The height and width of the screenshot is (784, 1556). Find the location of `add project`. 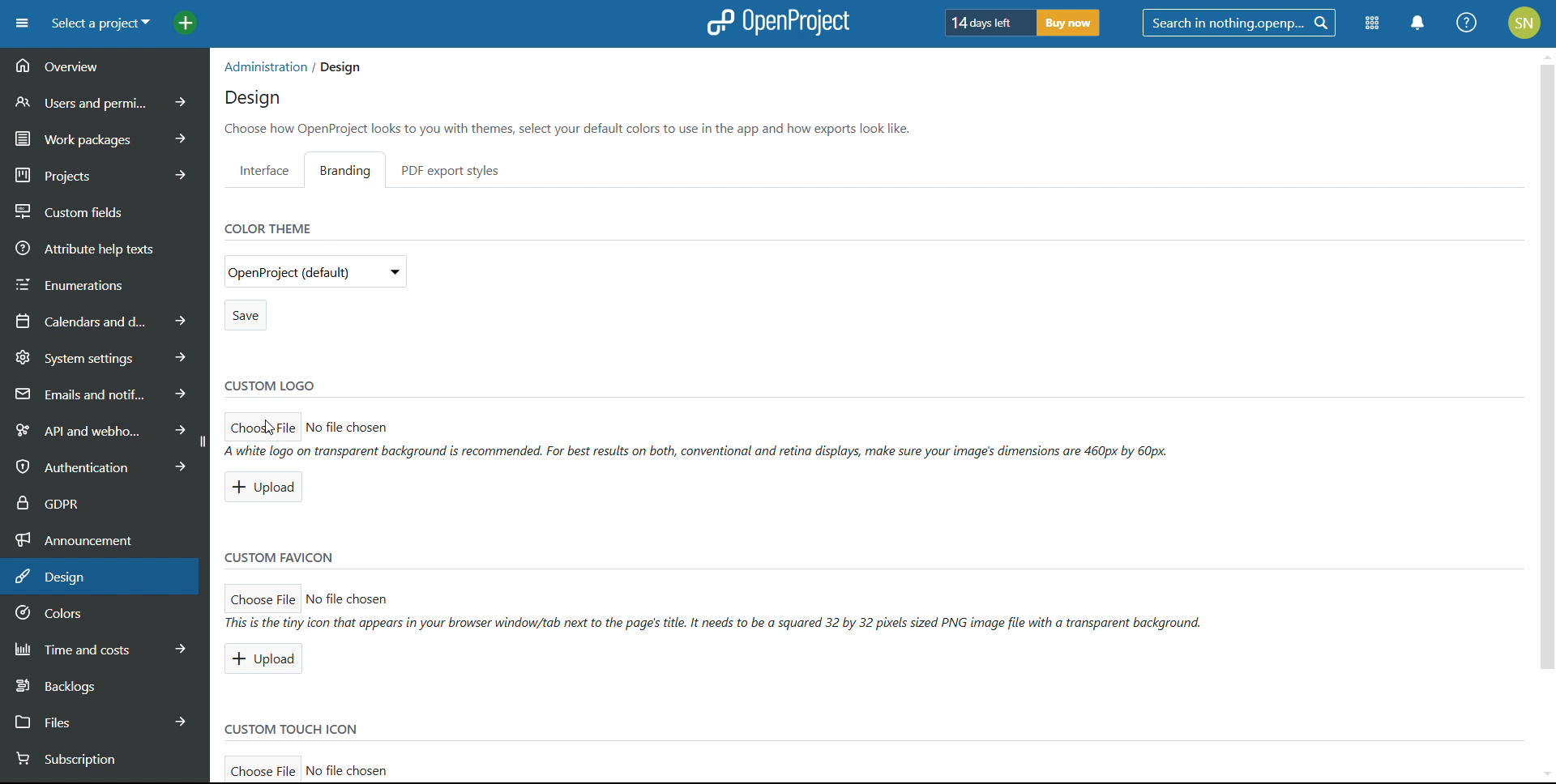

add project is located at coordinates (186, 23).